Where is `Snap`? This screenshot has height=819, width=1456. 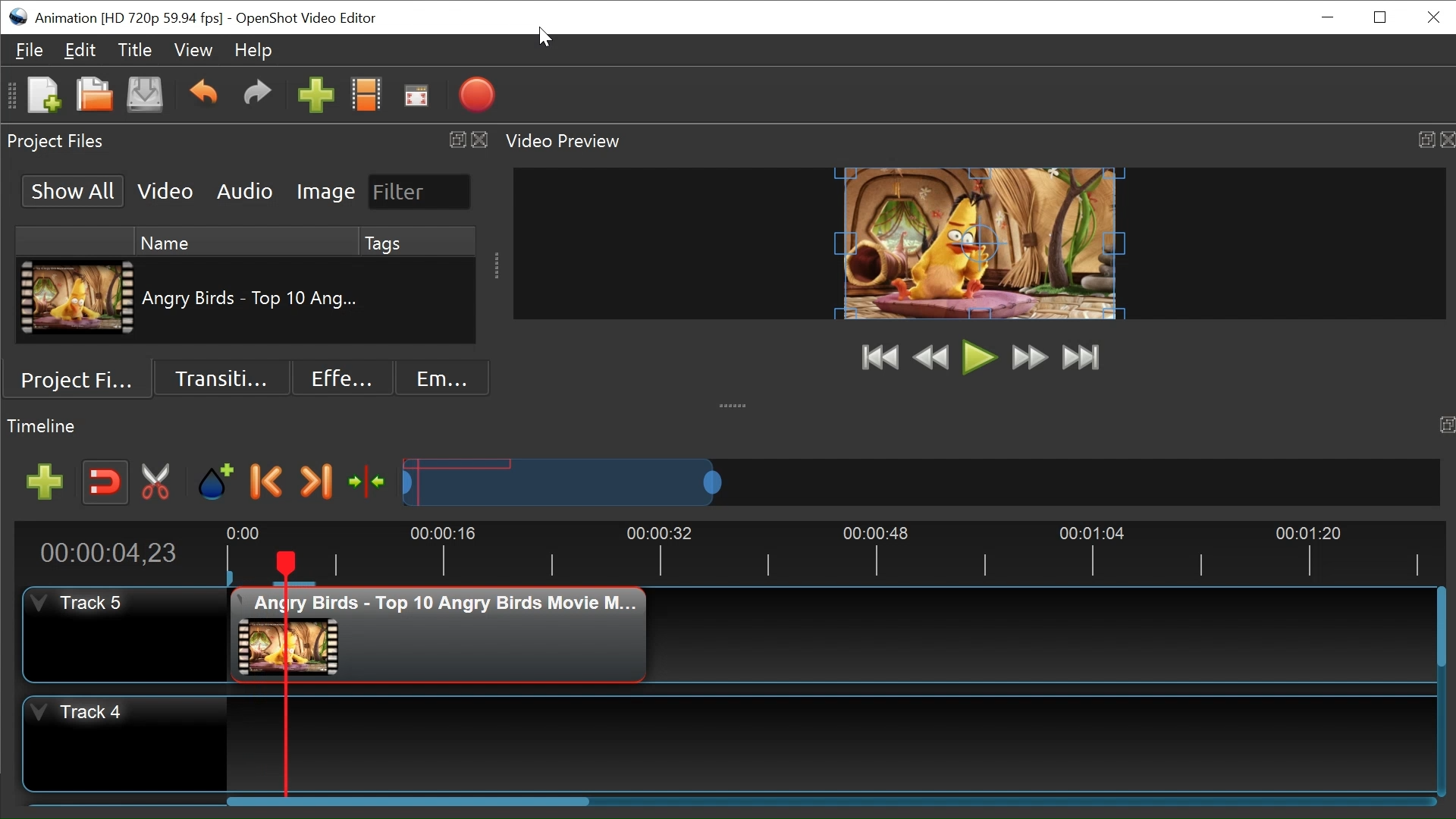
Snap is located at coordinates (104, 482).